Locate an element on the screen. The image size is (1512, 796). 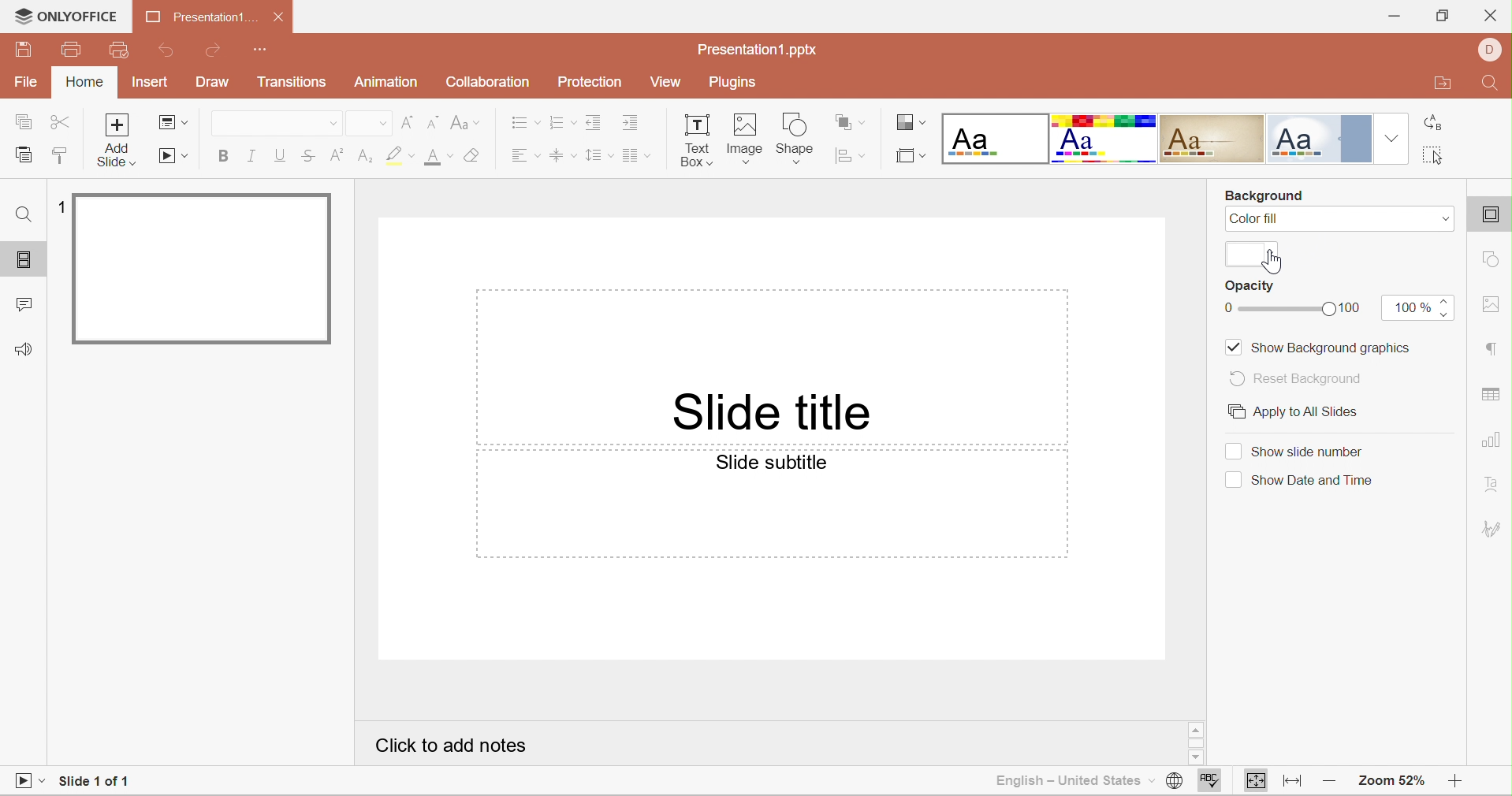
Change slide layout is located at coordinates (169, 121).